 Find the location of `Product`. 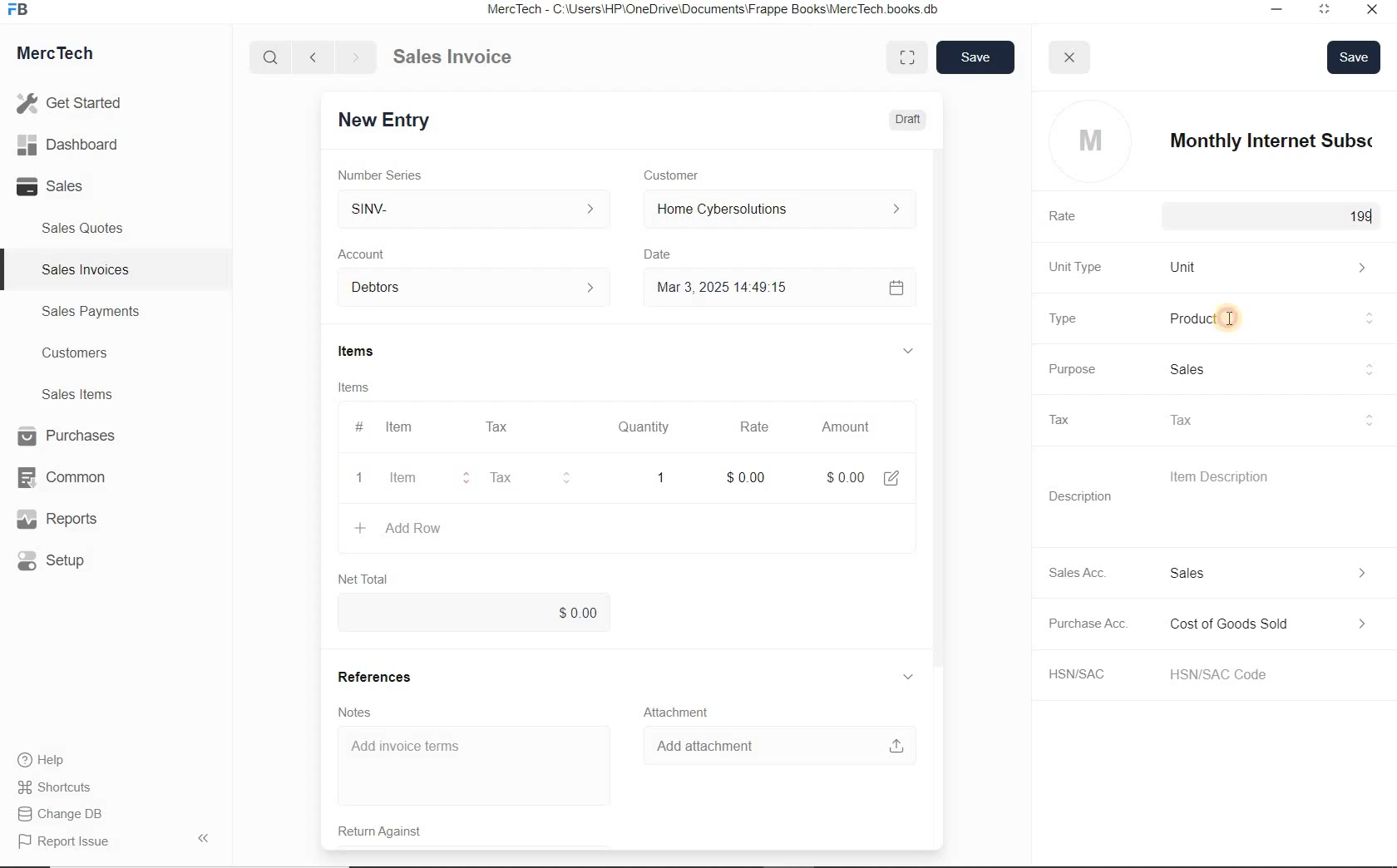

Product is located at coordinates (1272, 318).